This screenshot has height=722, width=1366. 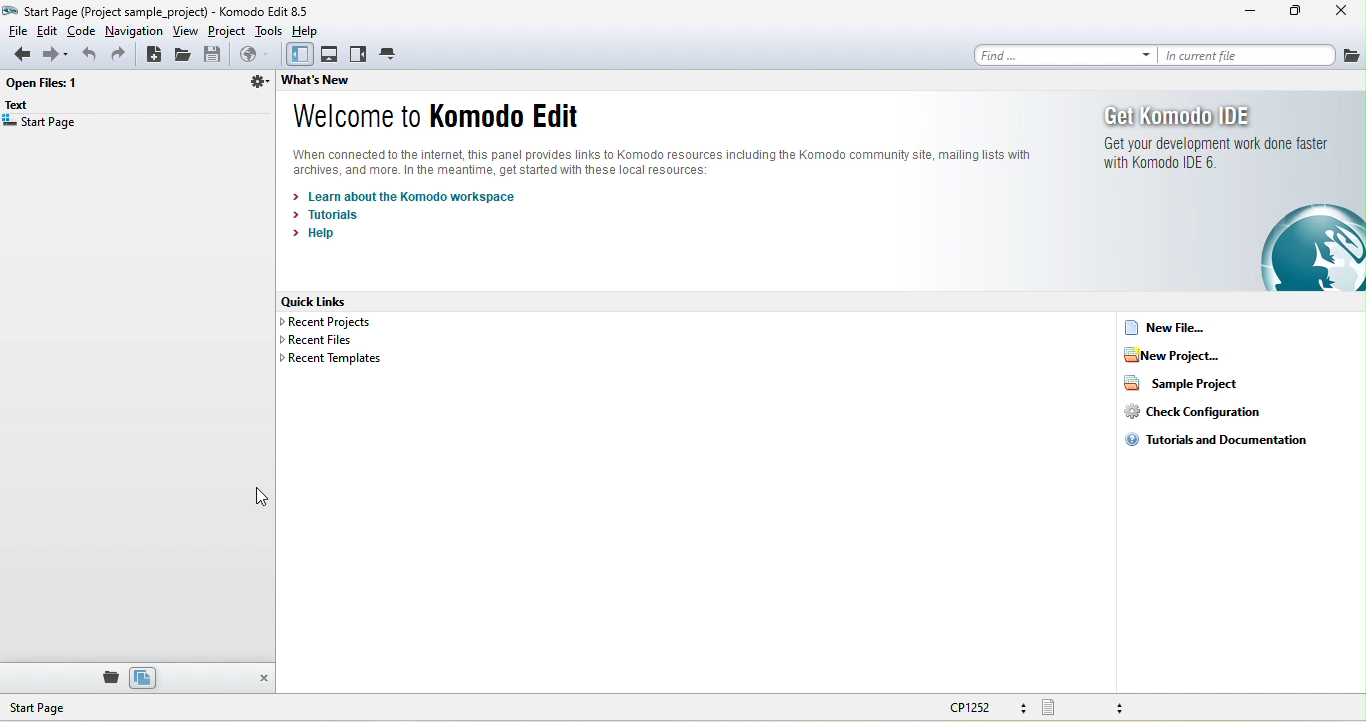 What do you see at coordinates (48, 30) in the screenshot?
I see `edit` at bounding box center [48, 30].